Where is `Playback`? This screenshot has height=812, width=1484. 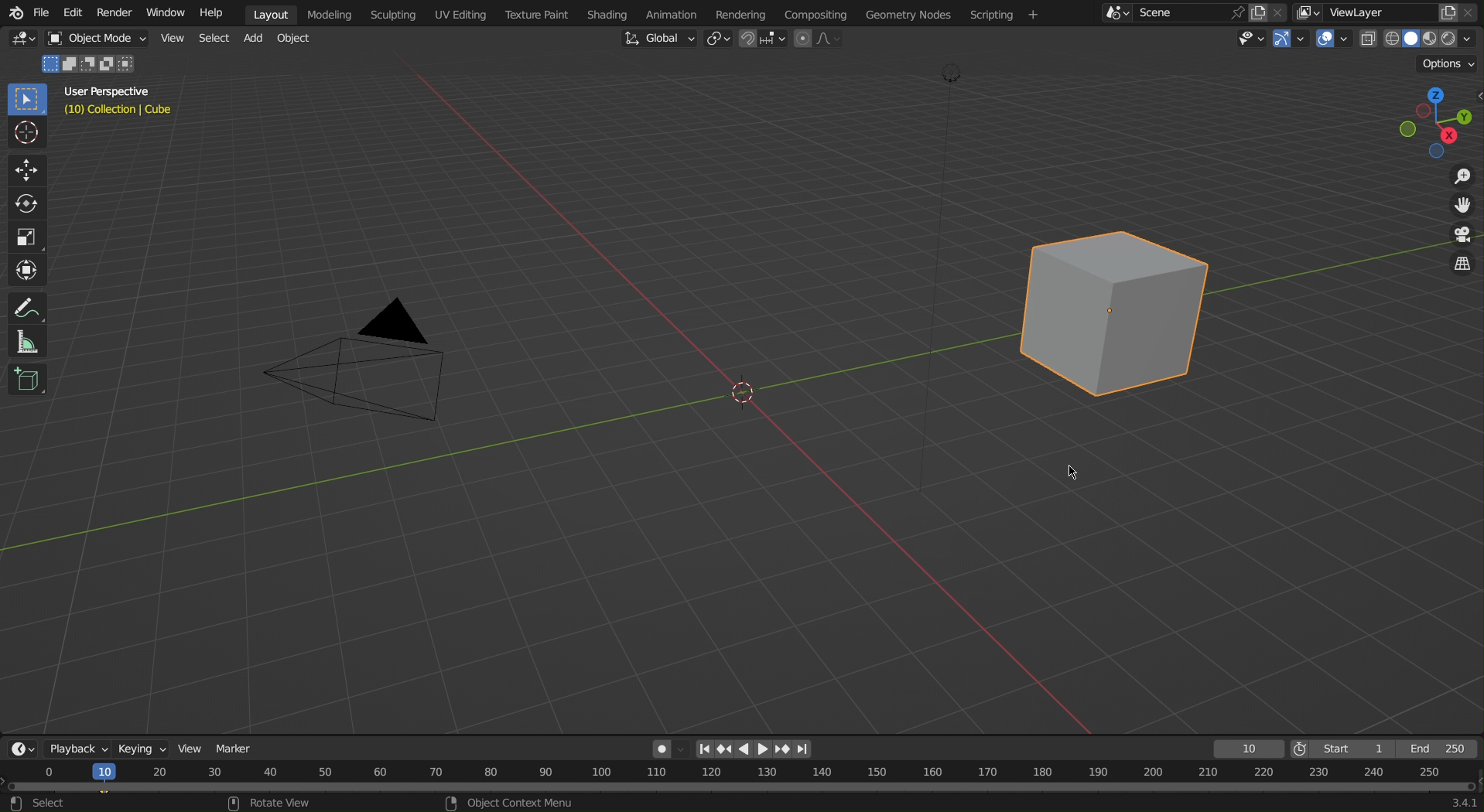 Playback is located at coordinates (74, 749).